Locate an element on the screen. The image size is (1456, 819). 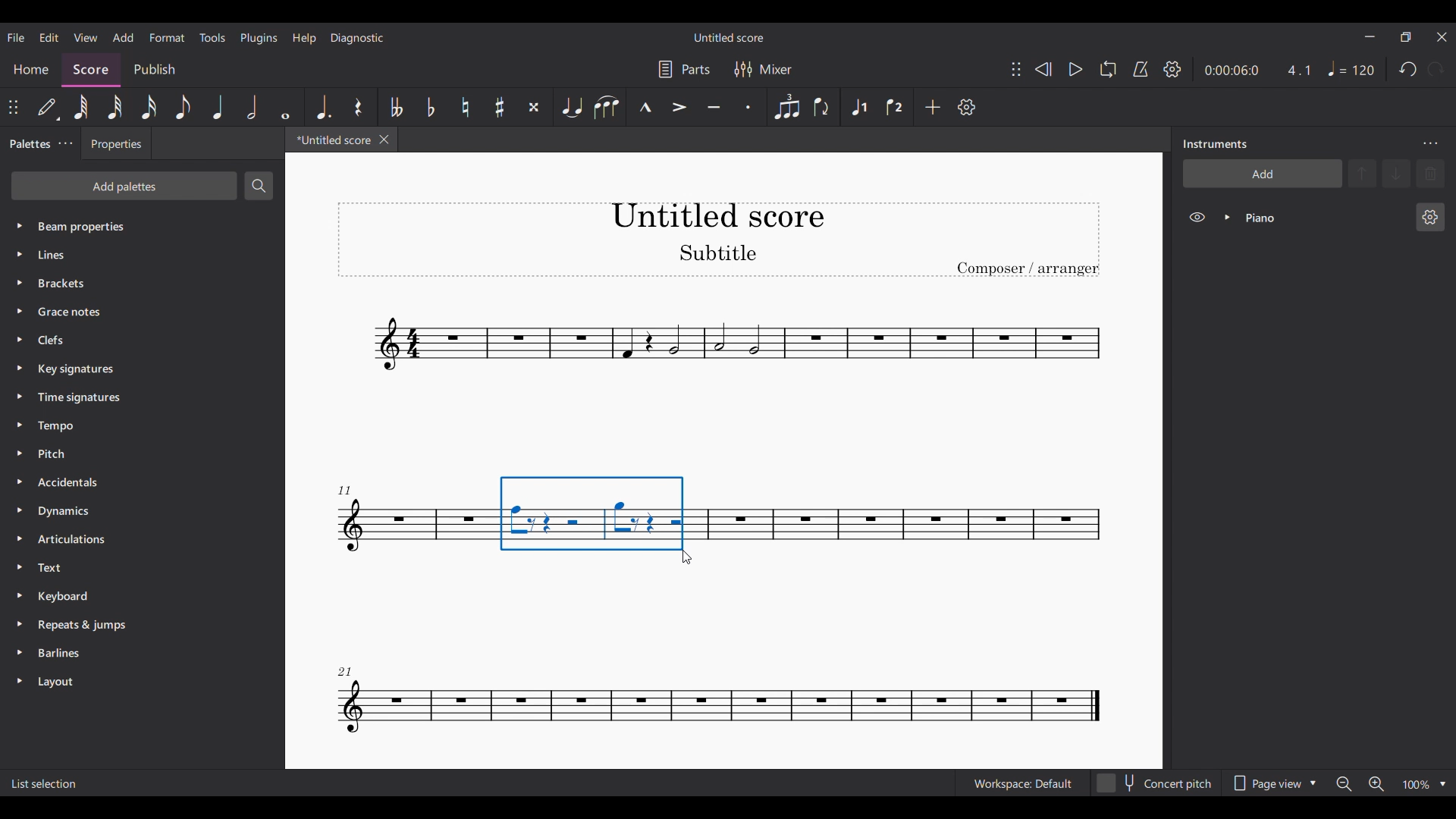
Keyboard is located at coordinates (130, 595).